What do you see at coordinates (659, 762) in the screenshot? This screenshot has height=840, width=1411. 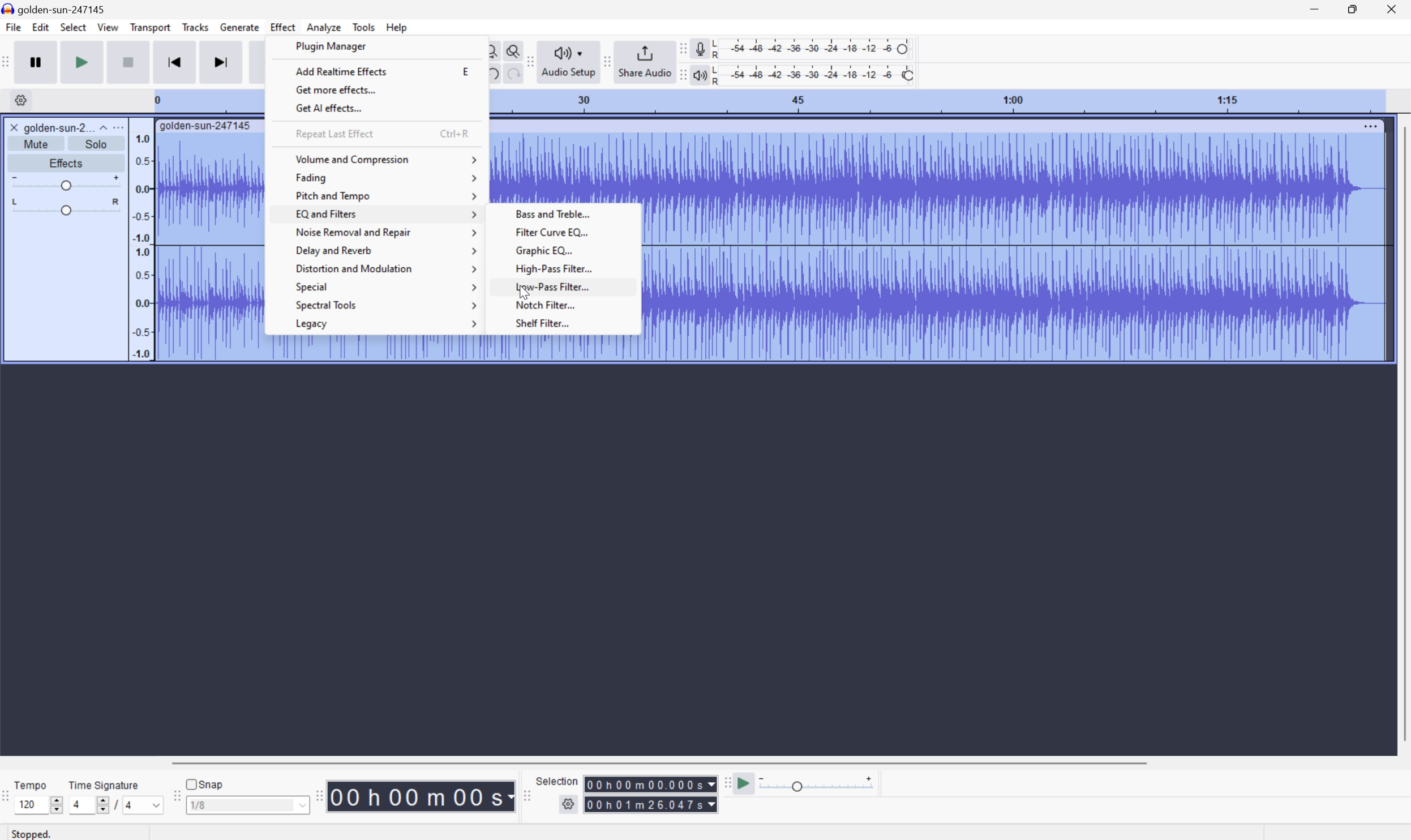 I see `Scroll Bar` at bounding box center [659, 762].